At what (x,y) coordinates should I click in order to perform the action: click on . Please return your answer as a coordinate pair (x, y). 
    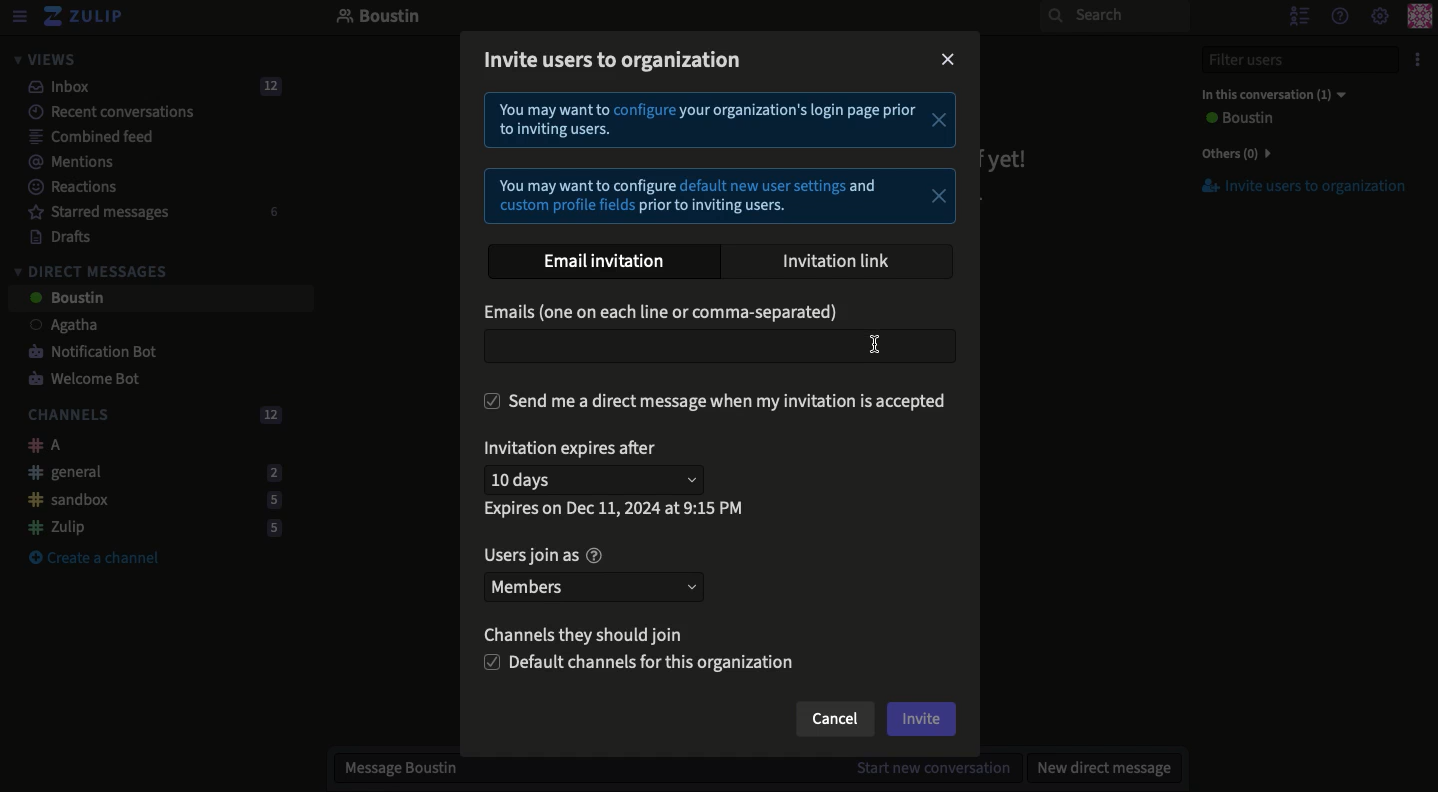
    Looking at the image, I should click on (946, 60).